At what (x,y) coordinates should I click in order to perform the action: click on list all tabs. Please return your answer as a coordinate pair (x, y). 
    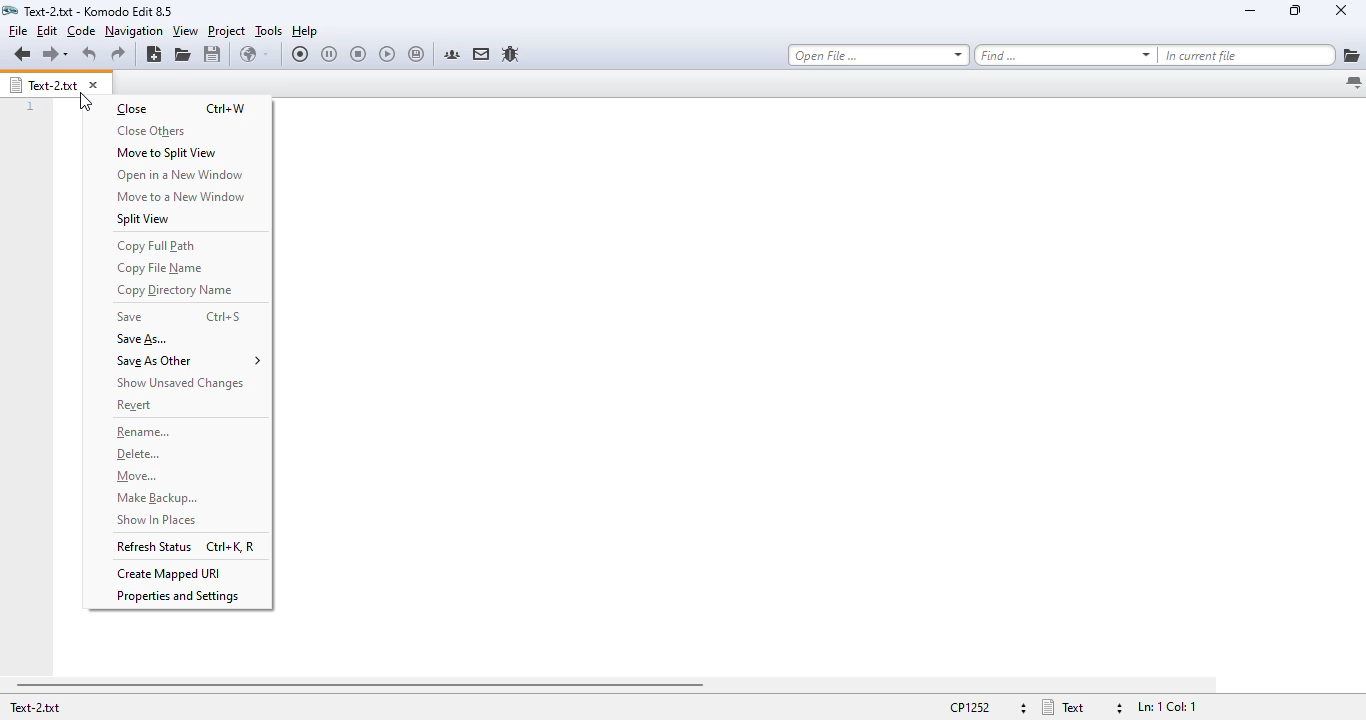
    Looking at the image, I should click on (1352, 83).